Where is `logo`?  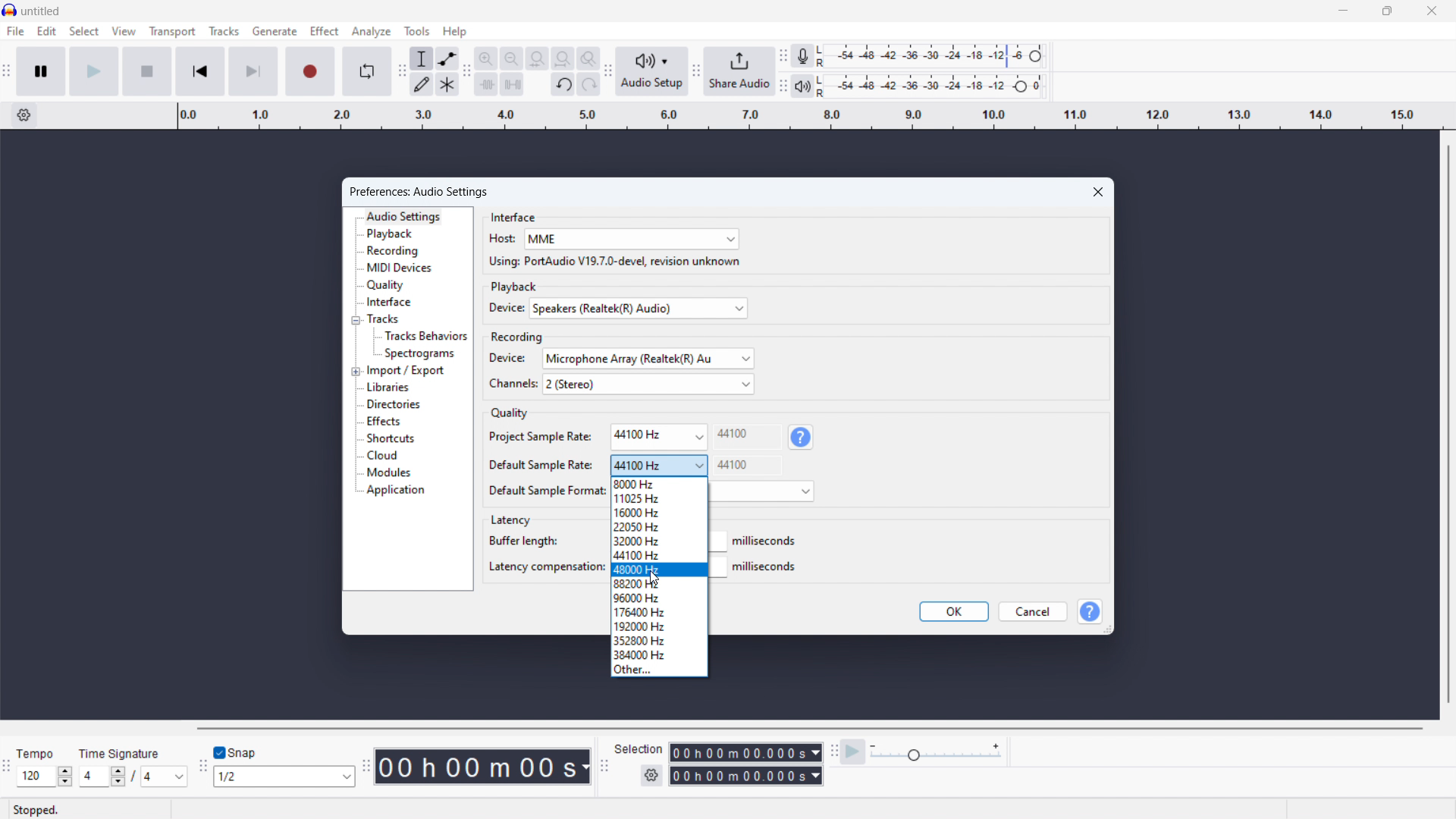
logo is located at coordinates (10, 10).